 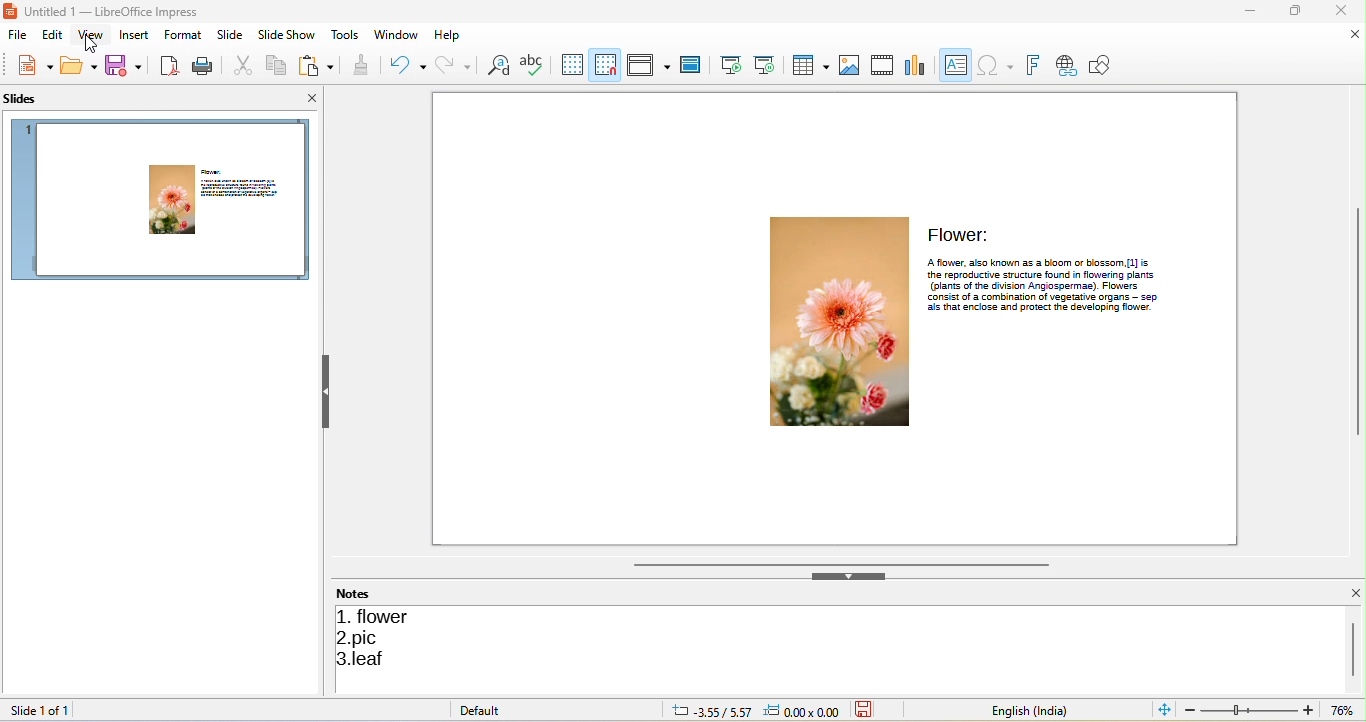 I want to click on close, so click(x=1354, y=593).